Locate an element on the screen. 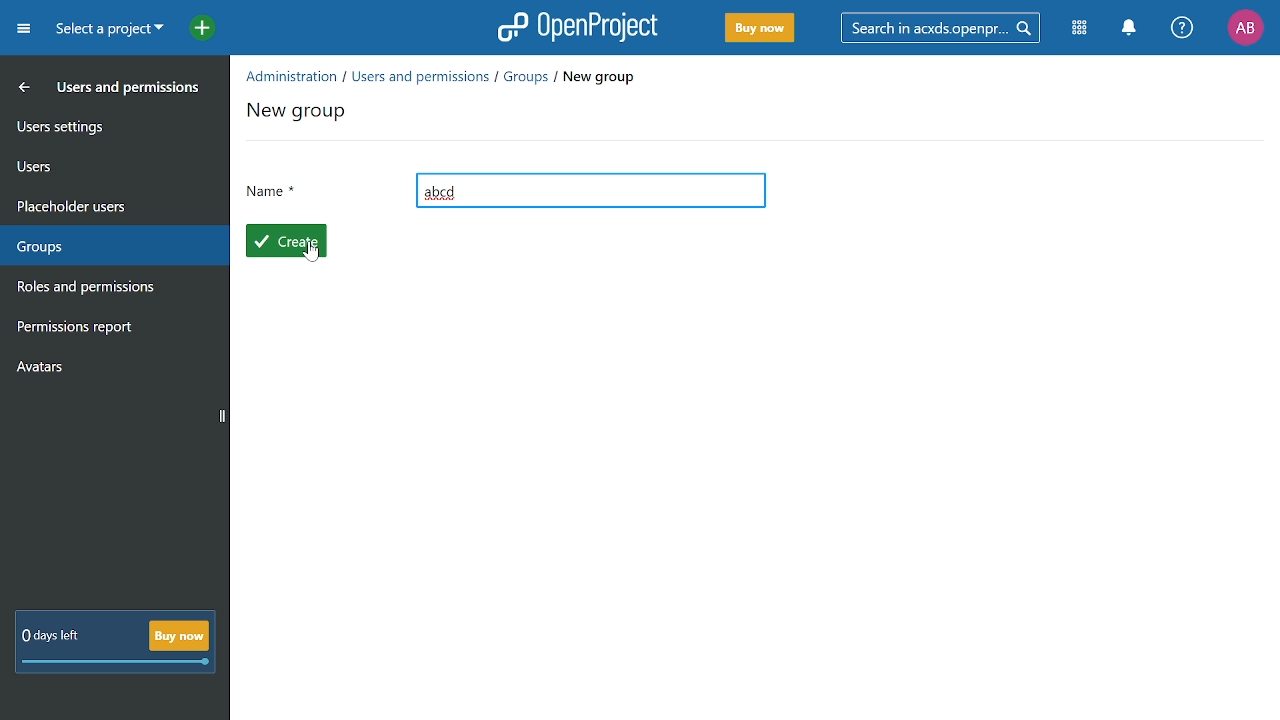 The image size is (1280, 720). permission report is located at coordinates (107, 329).